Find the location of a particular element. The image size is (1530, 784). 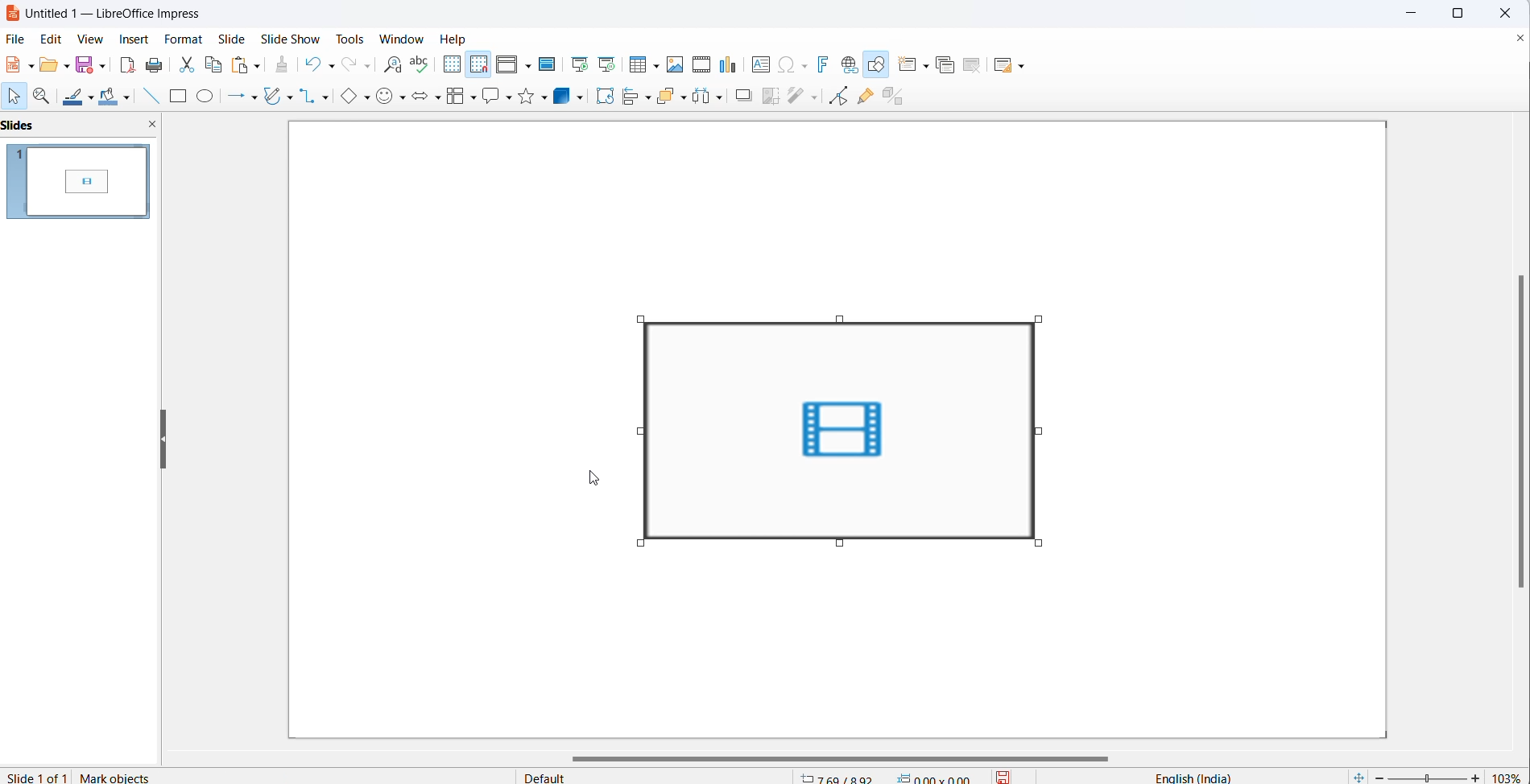

help is located at coordinates (456, 38).